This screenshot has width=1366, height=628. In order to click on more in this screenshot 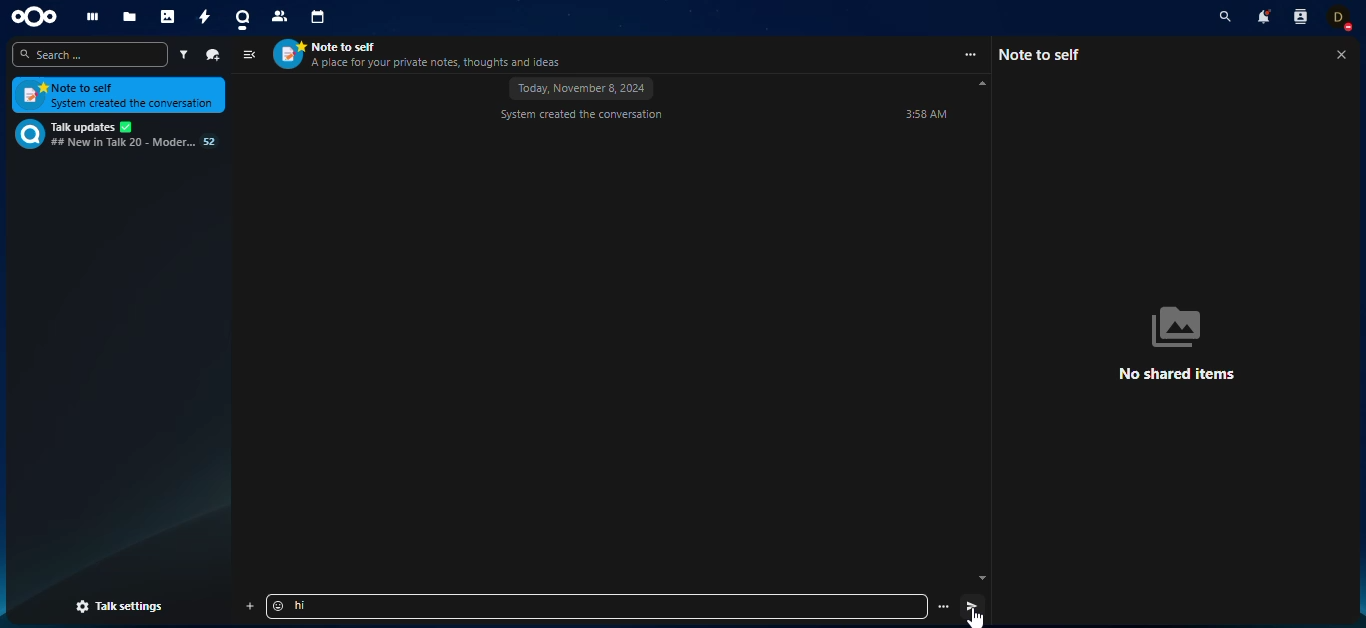, I will do `click(971, 55)`.